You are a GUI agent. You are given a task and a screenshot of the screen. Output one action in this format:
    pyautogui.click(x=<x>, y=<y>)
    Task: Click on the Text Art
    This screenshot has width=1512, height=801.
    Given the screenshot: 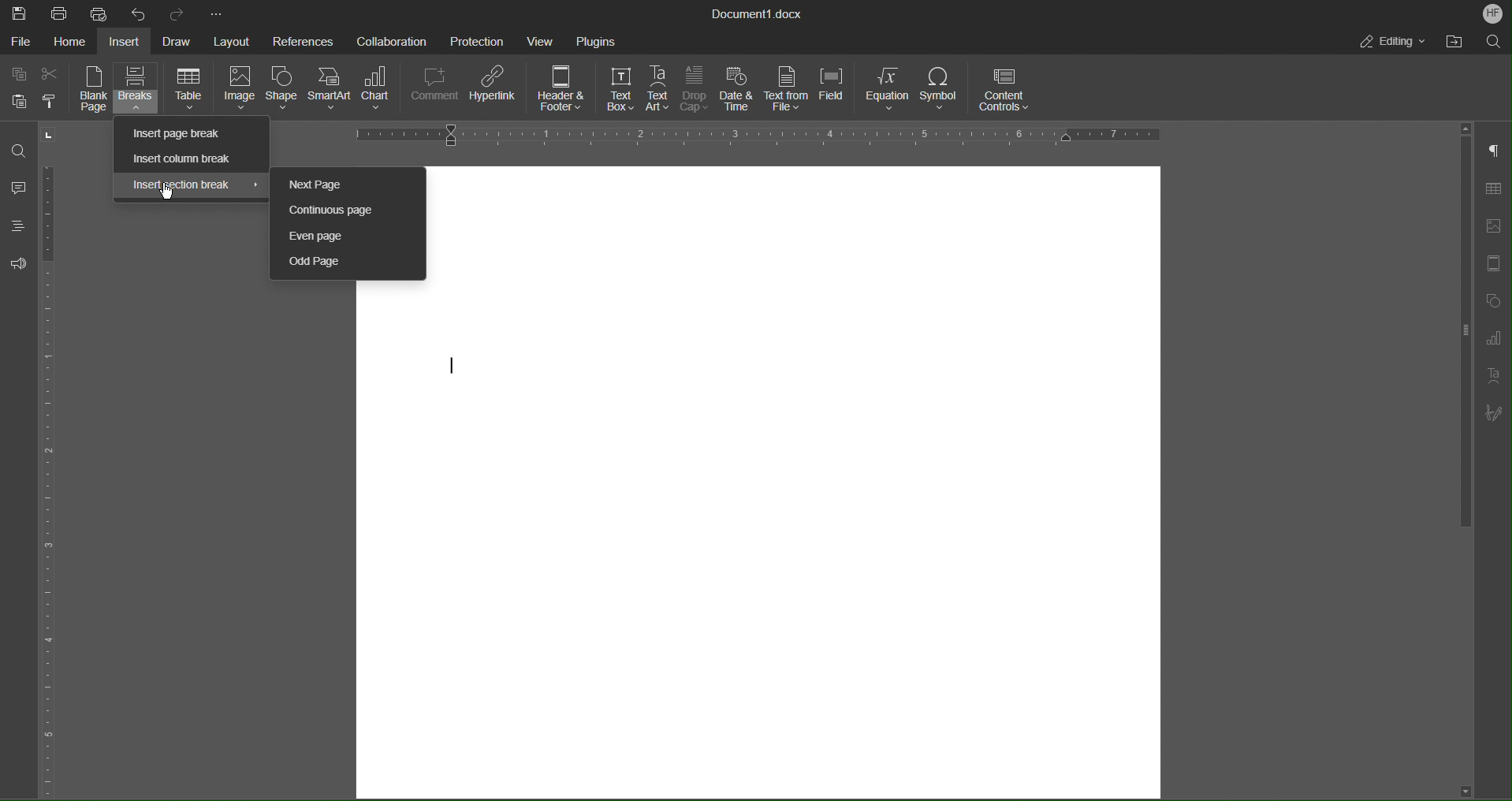 What is the action you would take?
    pyautogui.click(x=1493, y=378)
    